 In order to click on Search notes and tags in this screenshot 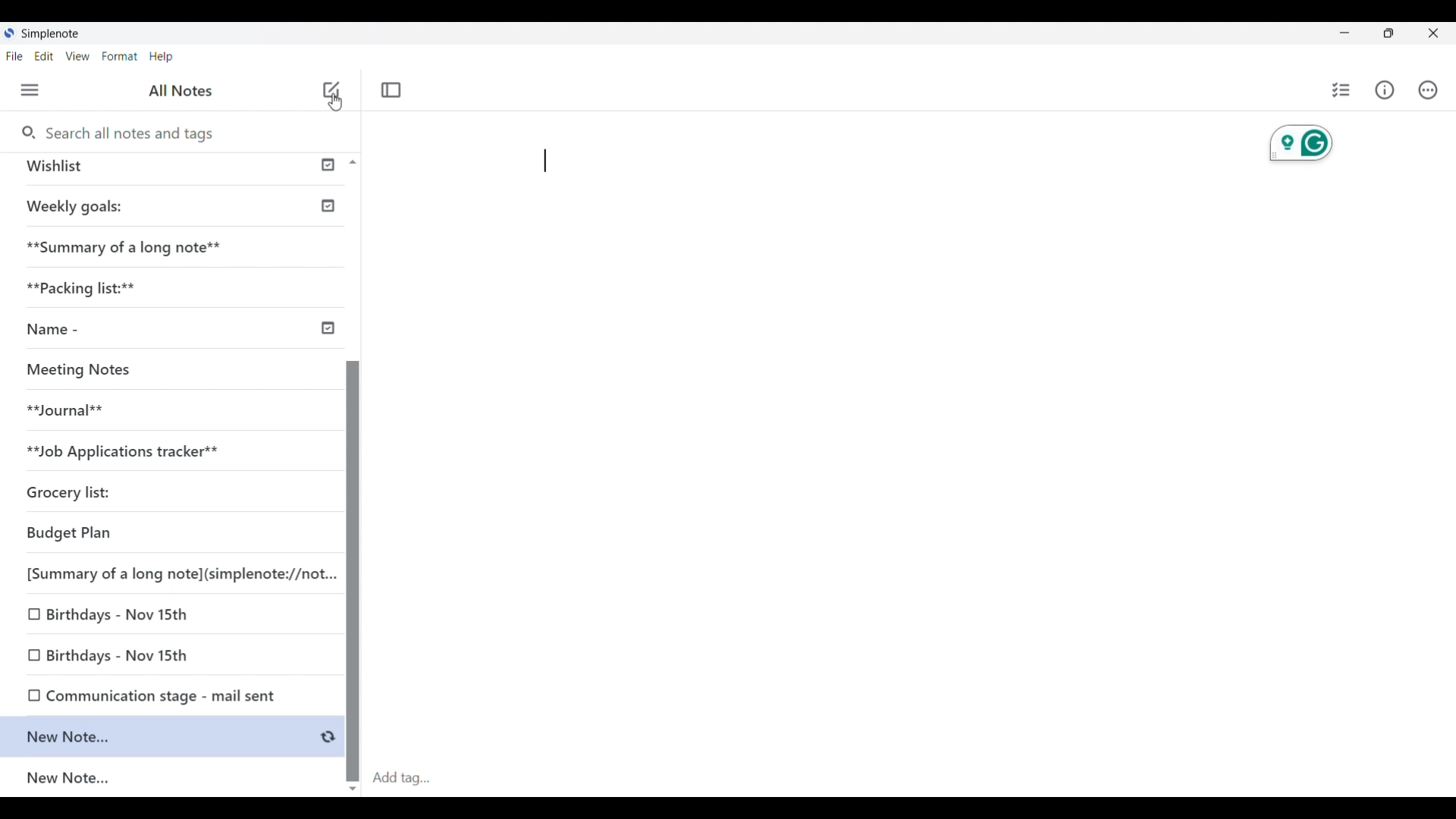, I will do `click(136, 133)`.